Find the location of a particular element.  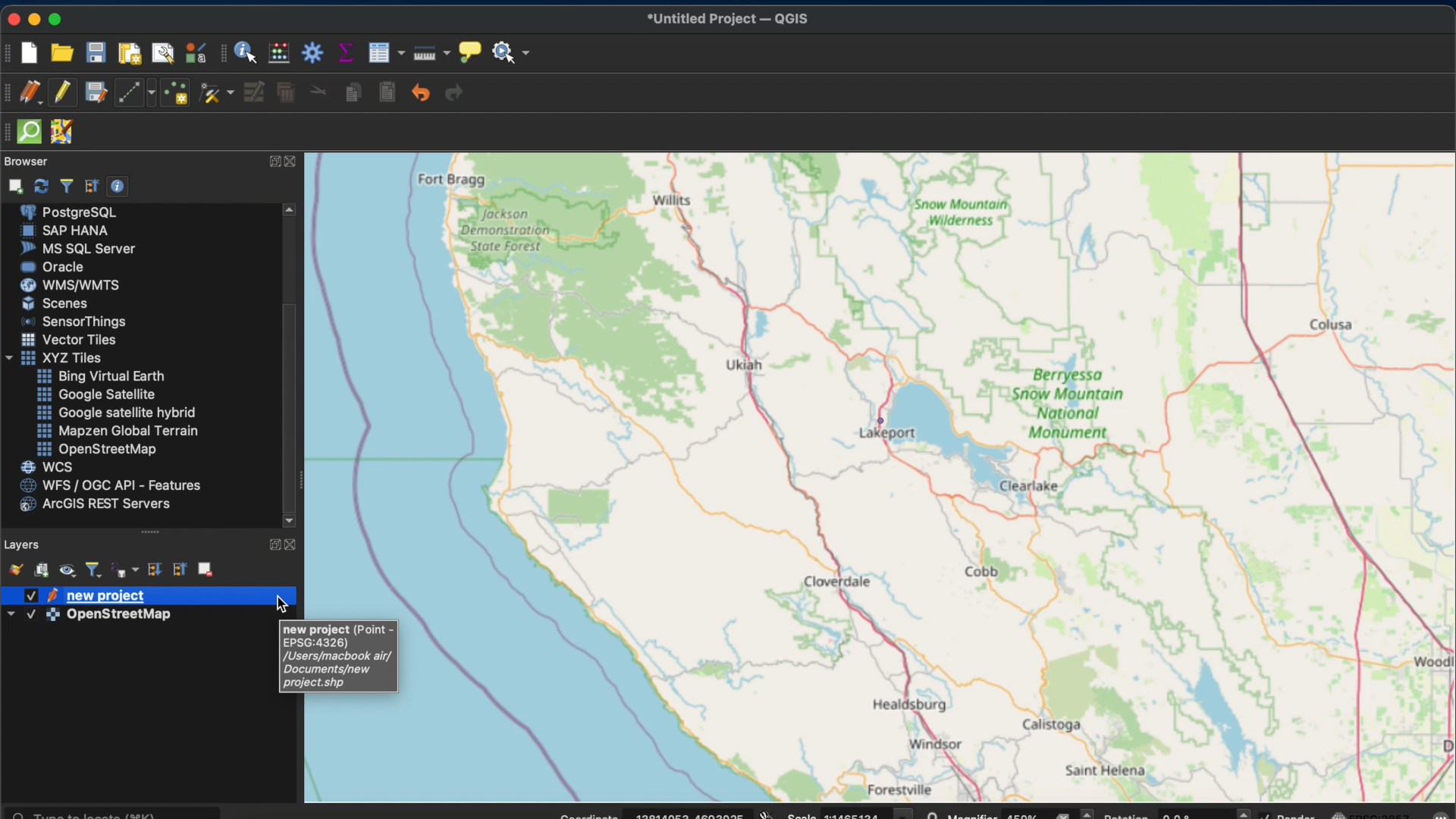

scroll box is located at coordinates (290, 406).